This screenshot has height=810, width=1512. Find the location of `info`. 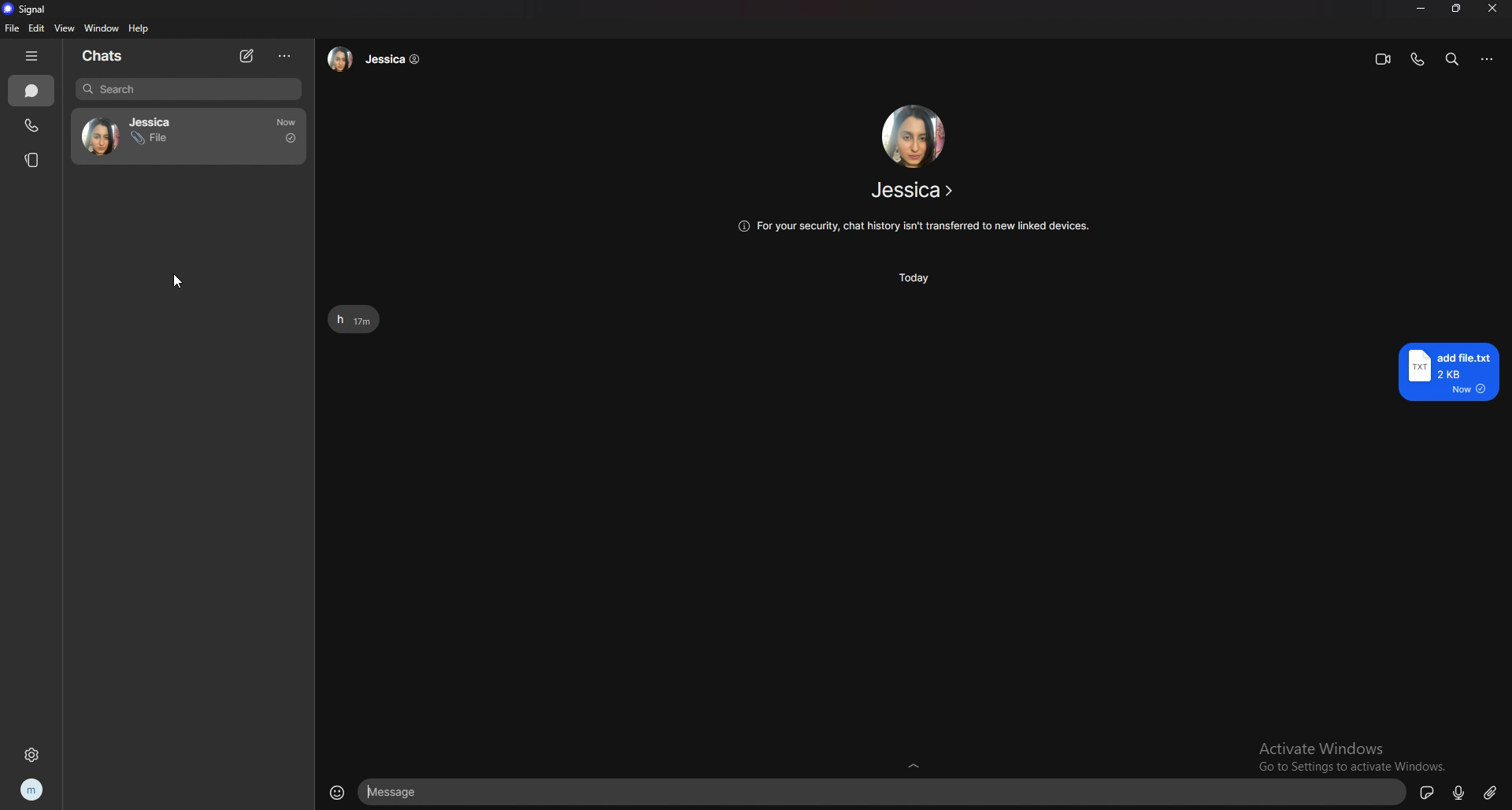

info is located at coordinates (914, 226).